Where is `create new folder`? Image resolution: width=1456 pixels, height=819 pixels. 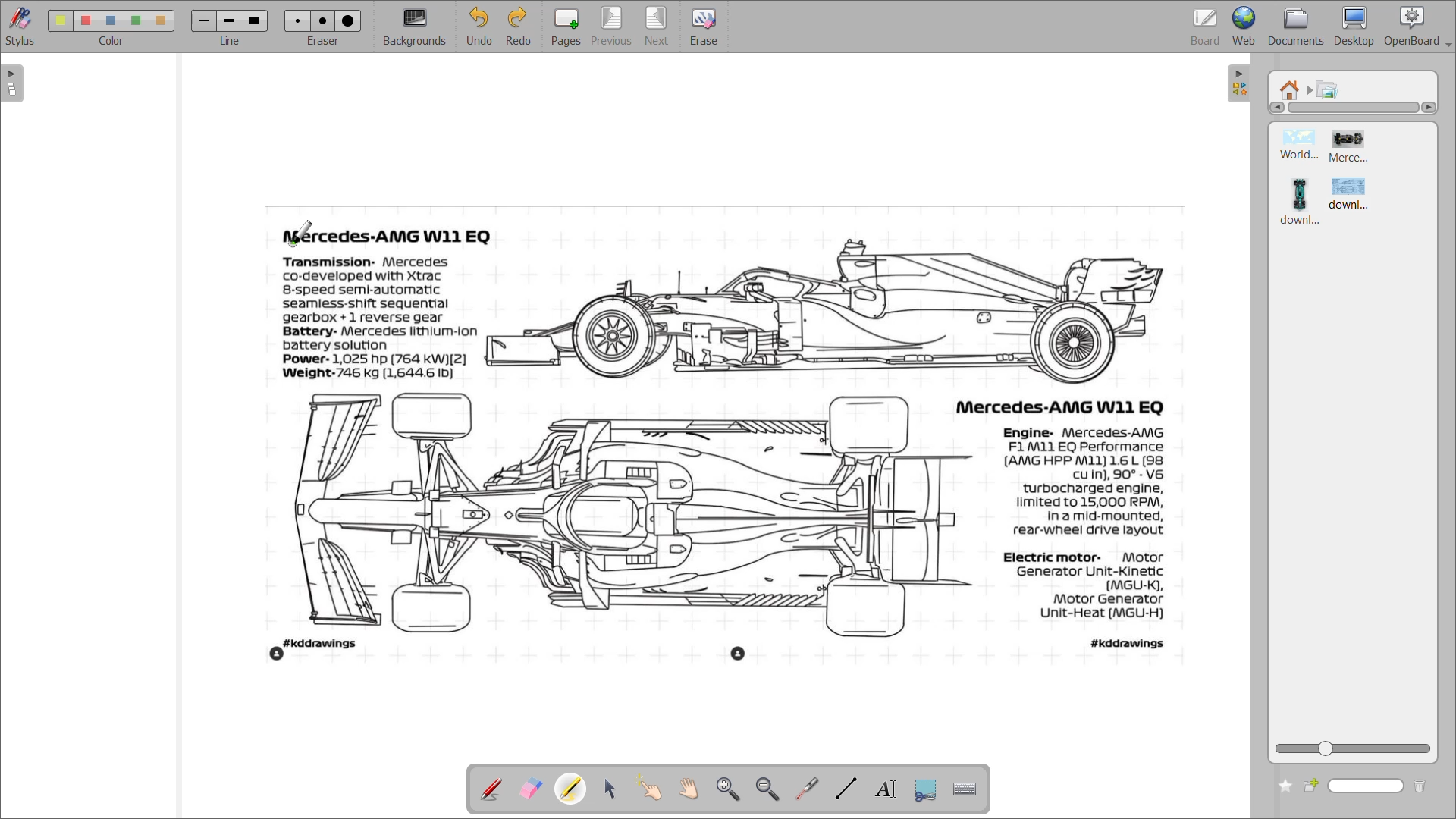
create new folder is located at coordinates (1313, 786).